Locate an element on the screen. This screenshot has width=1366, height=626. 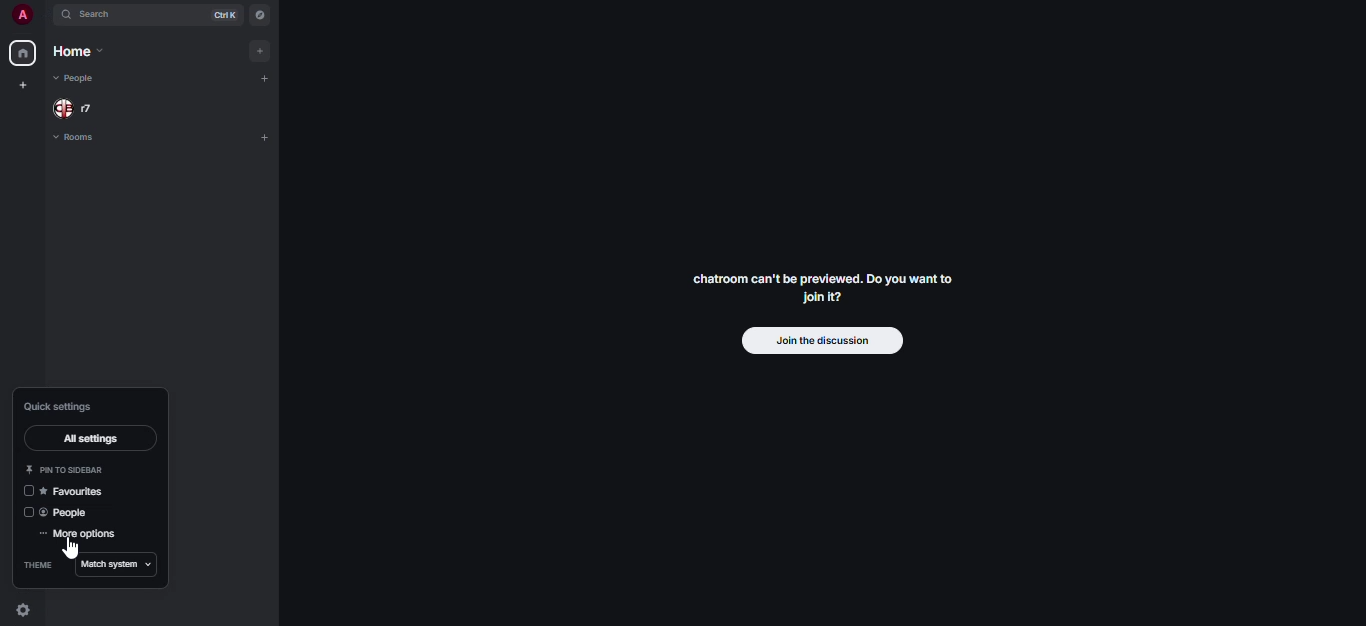
add is located at coordinates (266, 136).